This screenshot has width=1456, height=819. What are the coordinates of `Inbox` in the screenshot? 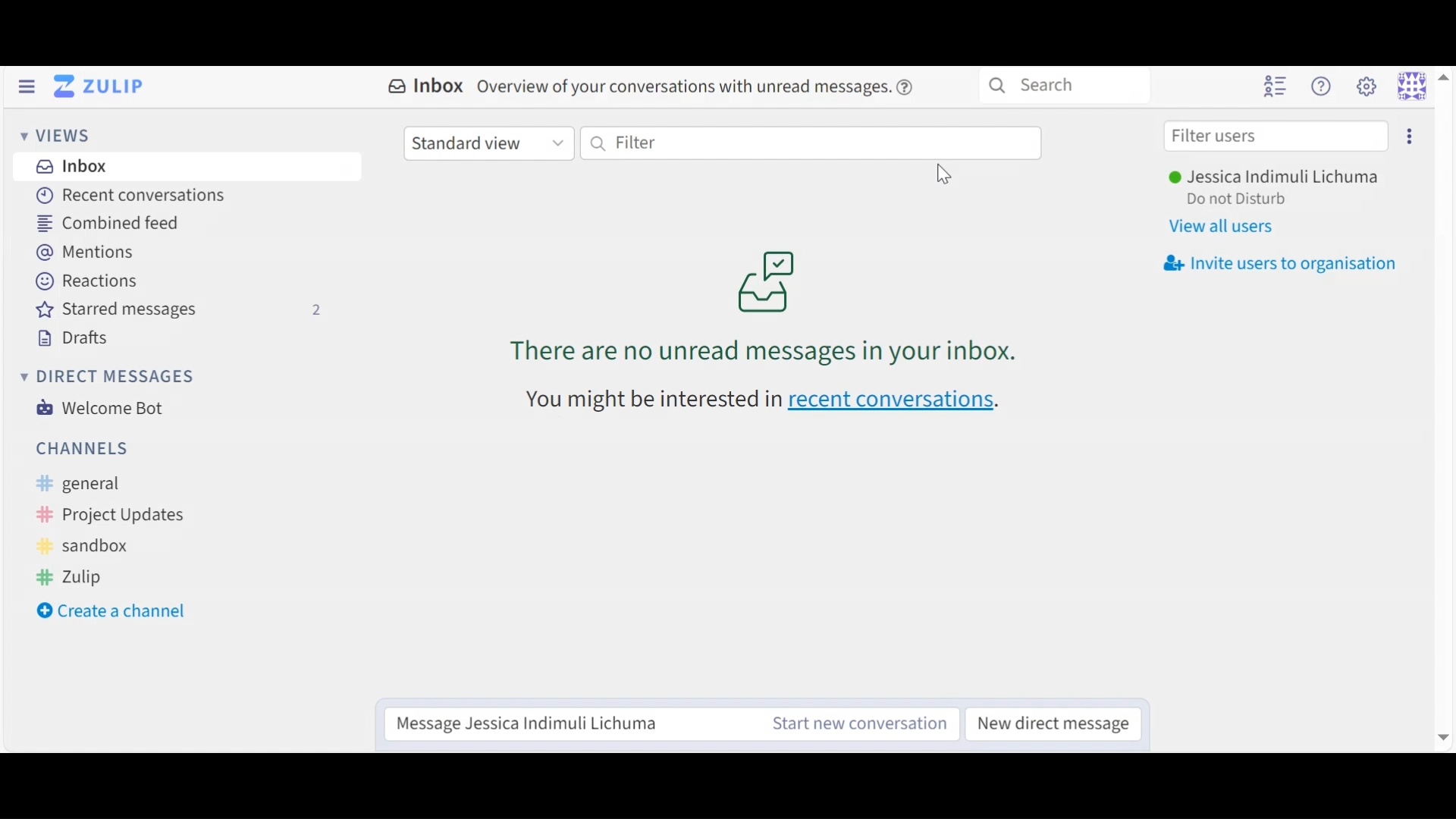 It's located at (69, 165).